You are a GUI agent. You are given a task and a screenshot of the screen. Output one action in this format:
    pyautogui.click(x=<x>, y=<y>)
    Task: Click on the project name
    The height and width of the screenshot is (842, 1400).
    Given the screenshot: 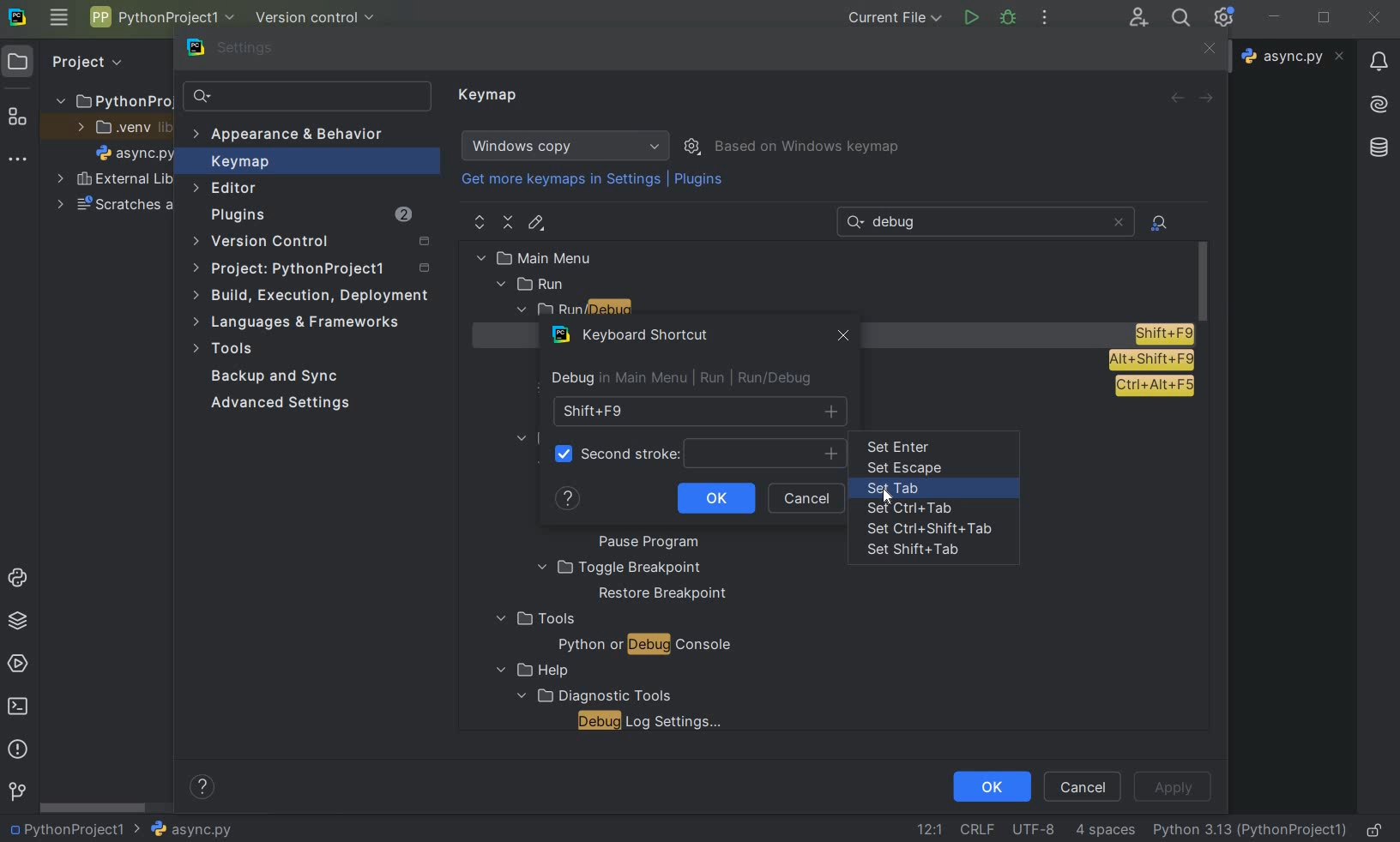 What is the action you would take?
    pyautogui.click(x=160, y=17)
    